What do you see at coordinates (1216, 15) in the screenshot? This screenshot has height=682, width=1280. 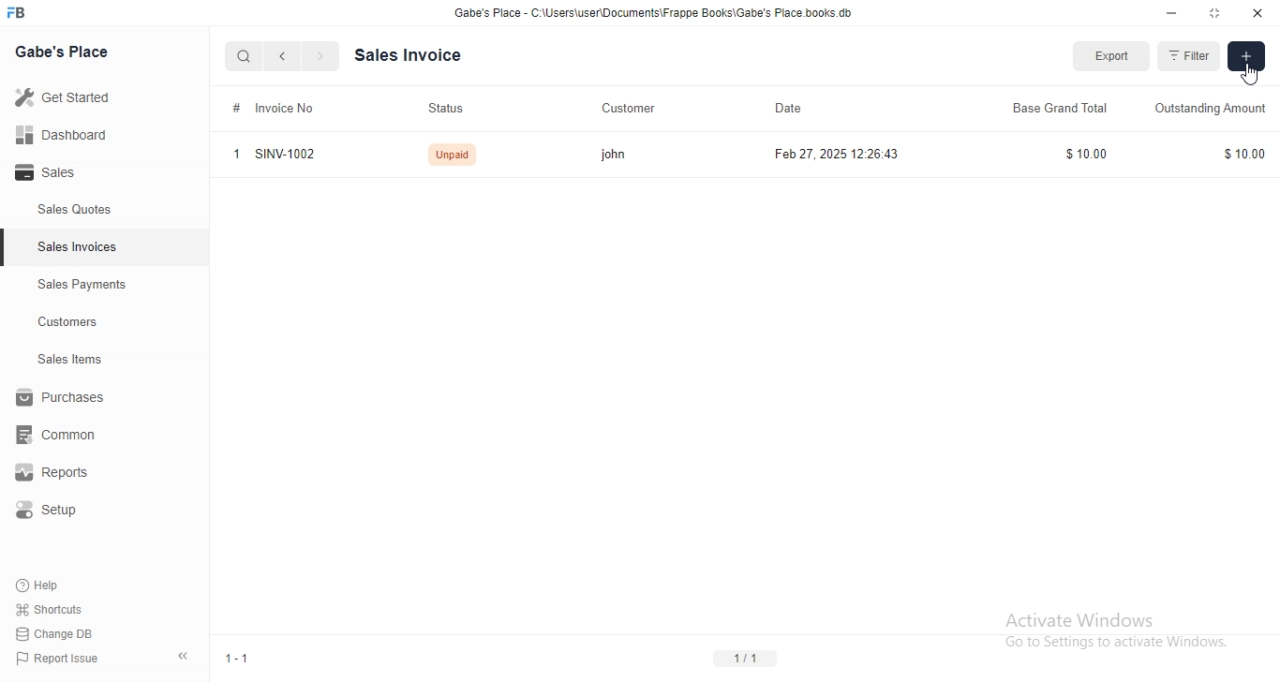 I see `maximize` at bounding box center [1216, 15].